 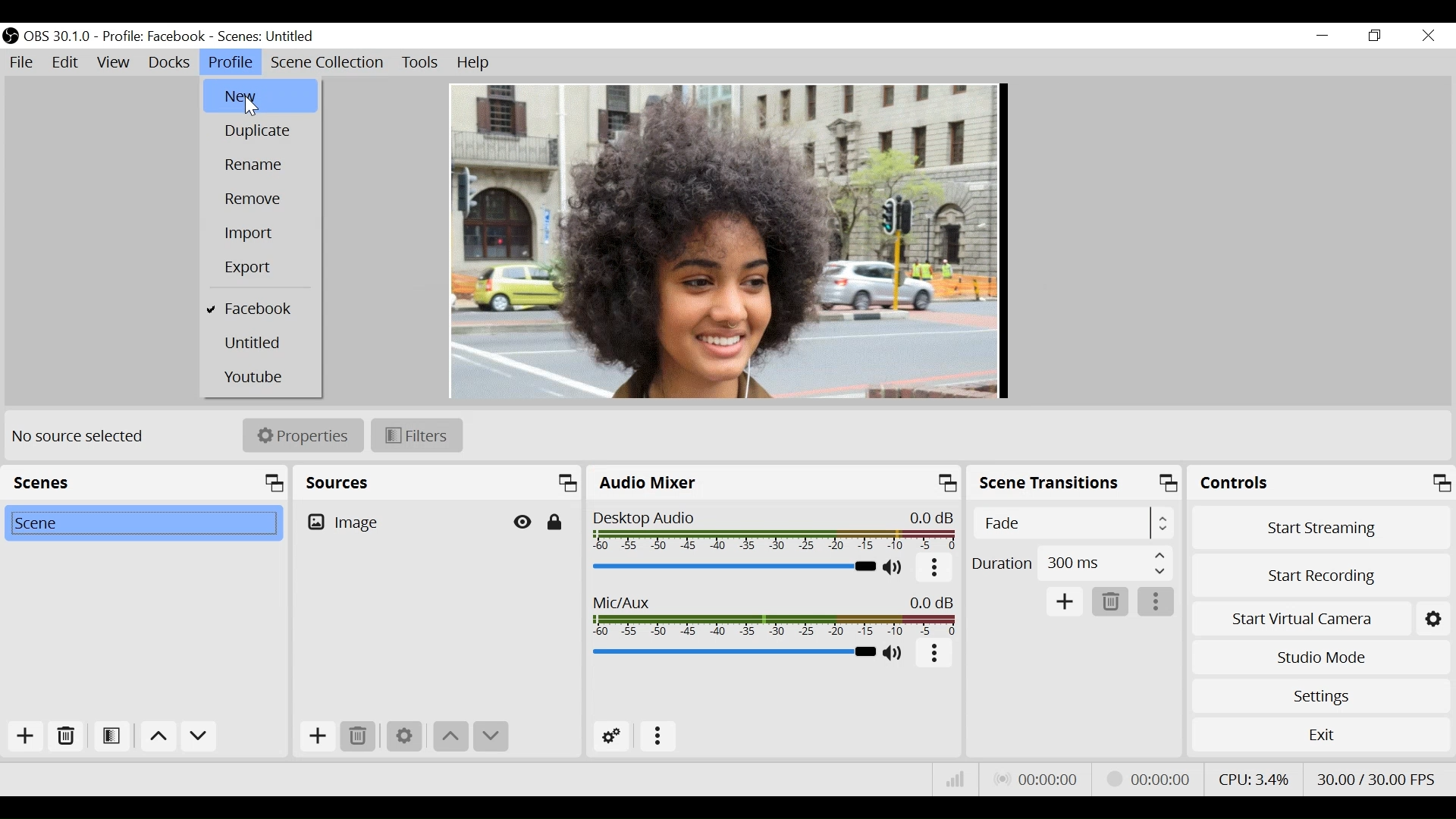 What do you see at coordinates (330, 64) in the screenshot?
I see `Scene Collection` at bounding box center [330, 64].